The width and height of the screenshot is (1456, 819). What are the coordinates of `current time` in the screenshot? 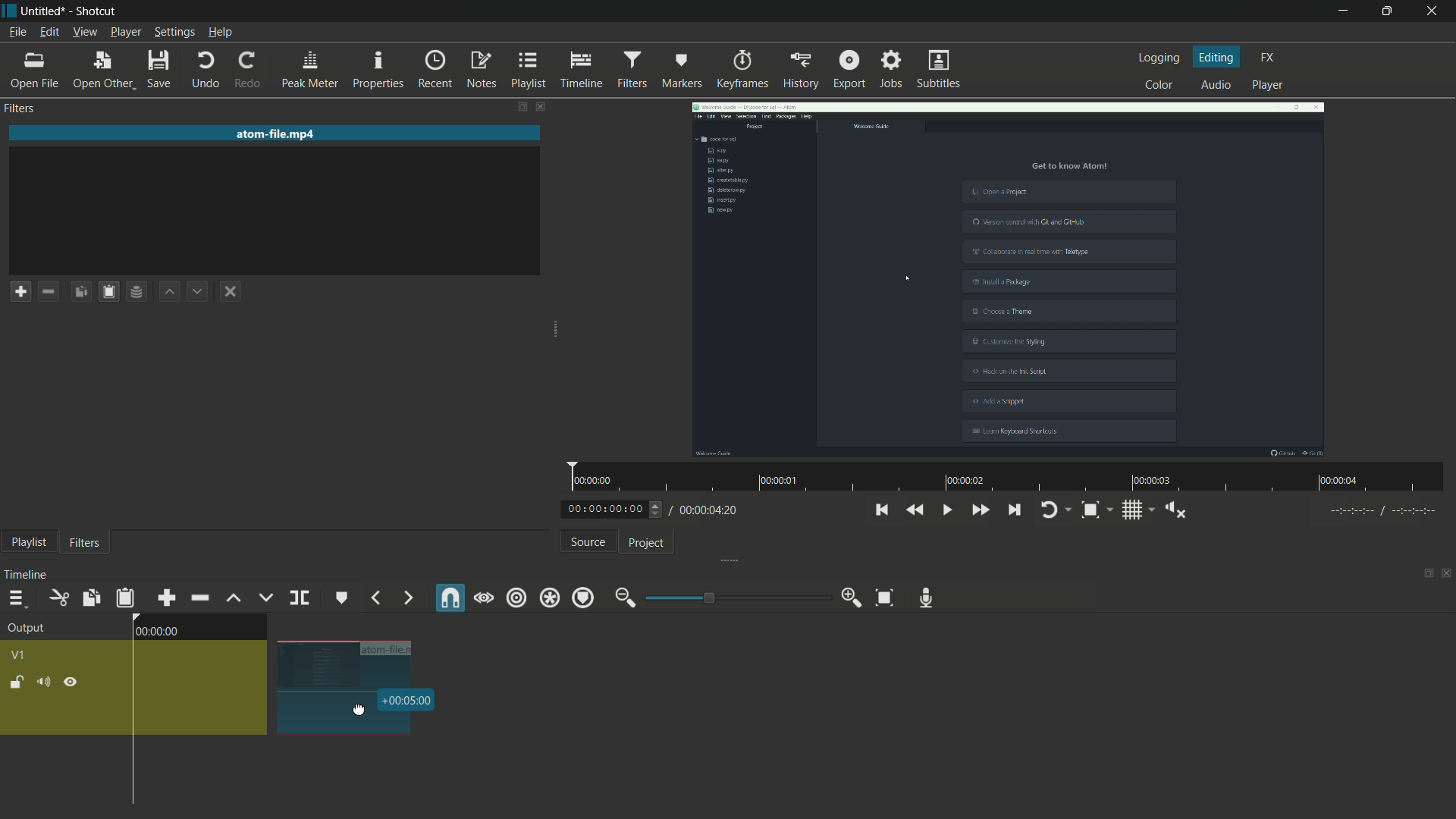 It's located at (605, 508).